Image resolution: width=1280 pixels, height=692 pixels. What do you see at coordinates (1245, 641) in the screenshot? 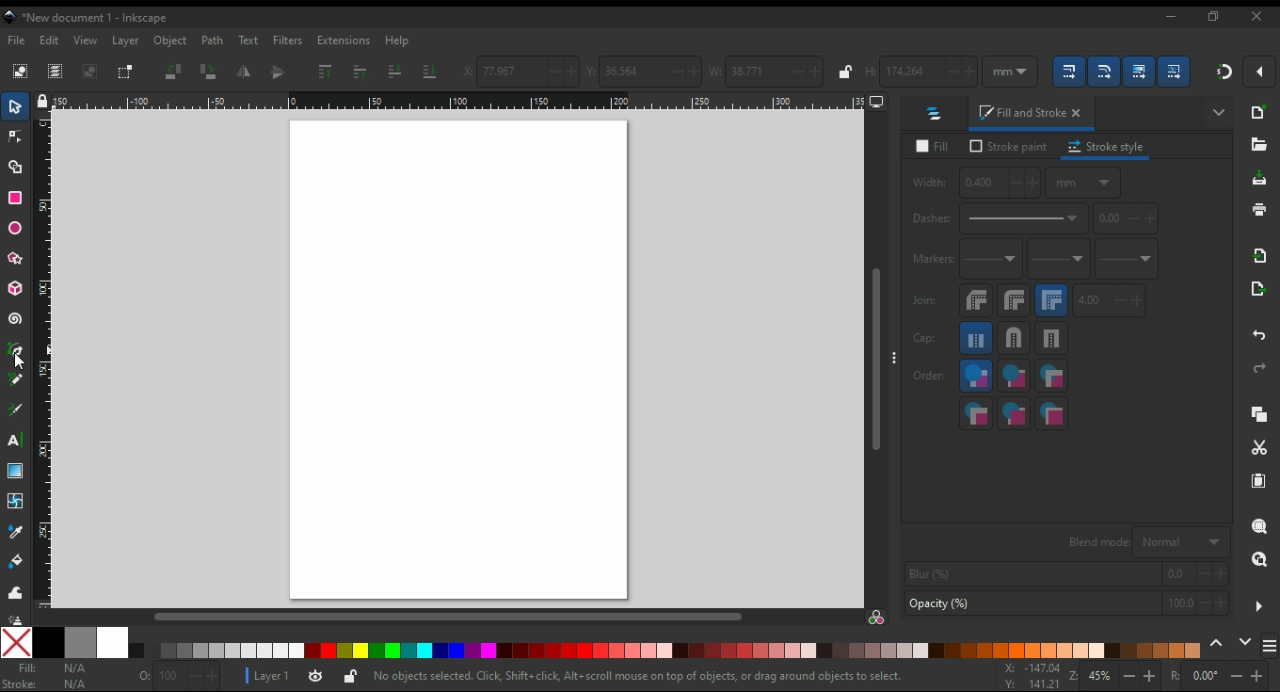
I see `next` at bounding box center [1245, 641].